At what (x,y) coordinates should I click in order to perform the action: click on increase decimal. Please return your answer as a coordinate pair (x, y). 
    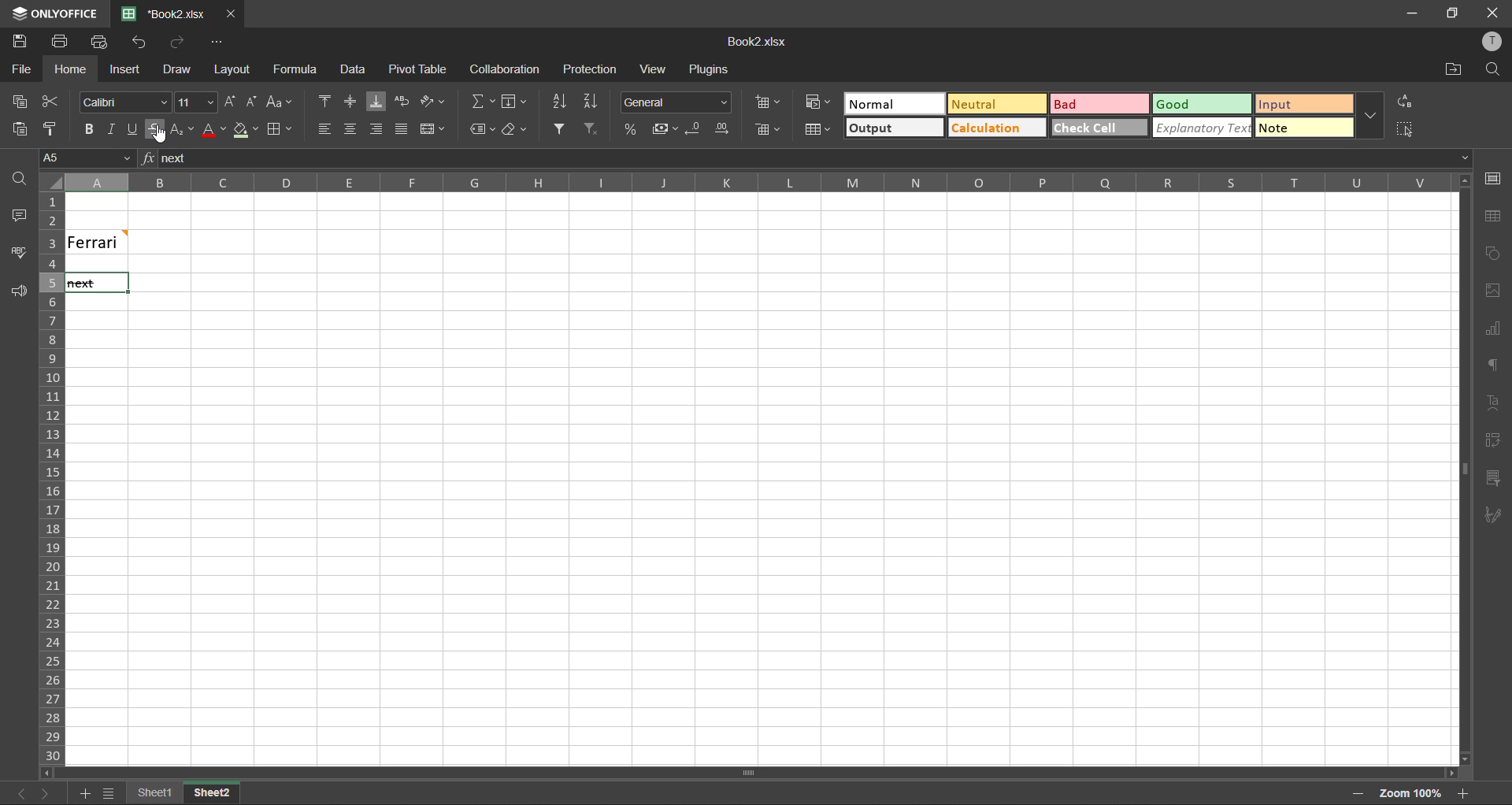
    Looking at the image, I should click on (723, 129).